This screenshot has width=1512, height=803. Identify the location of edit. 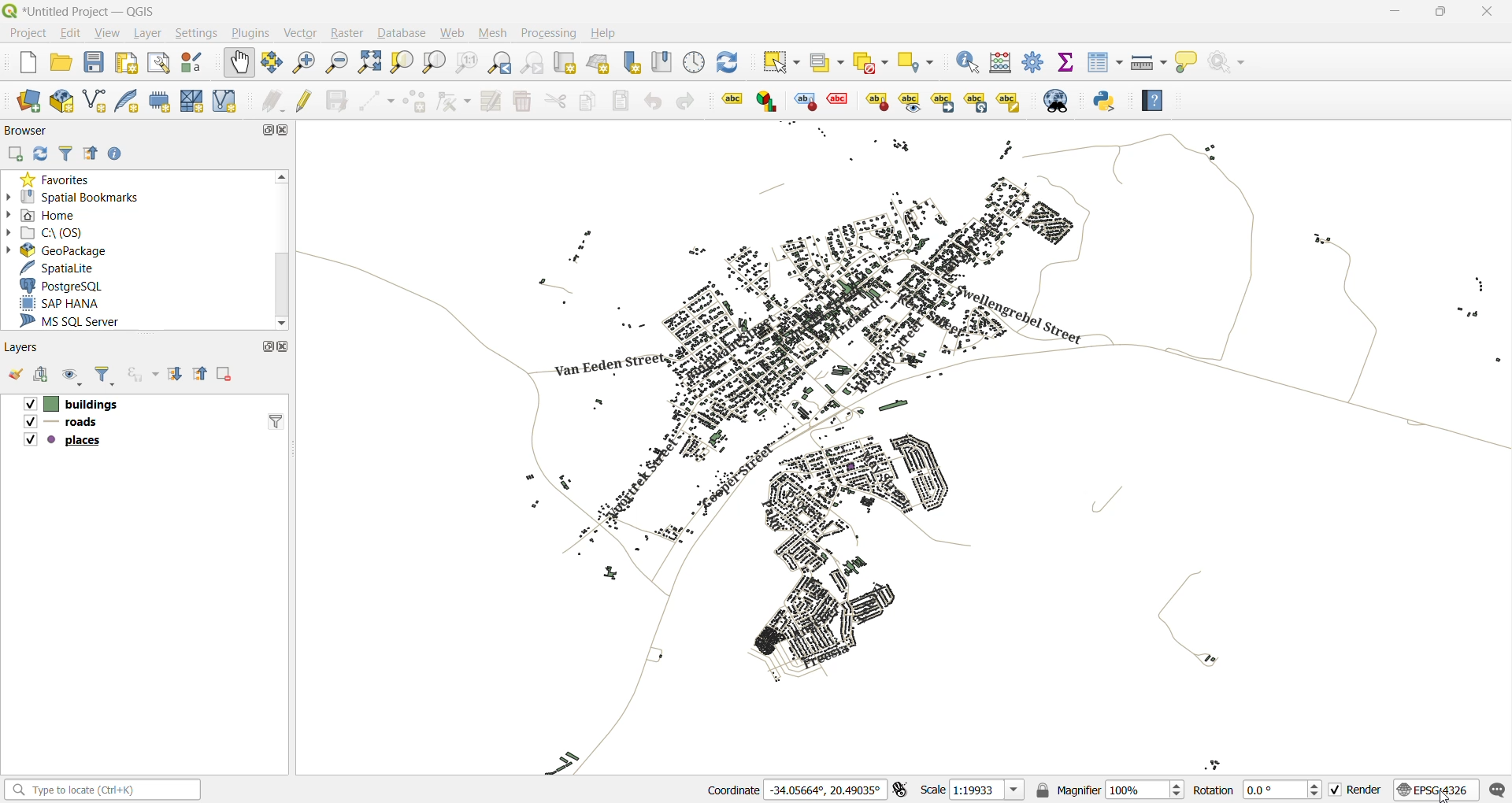
(71, 33).